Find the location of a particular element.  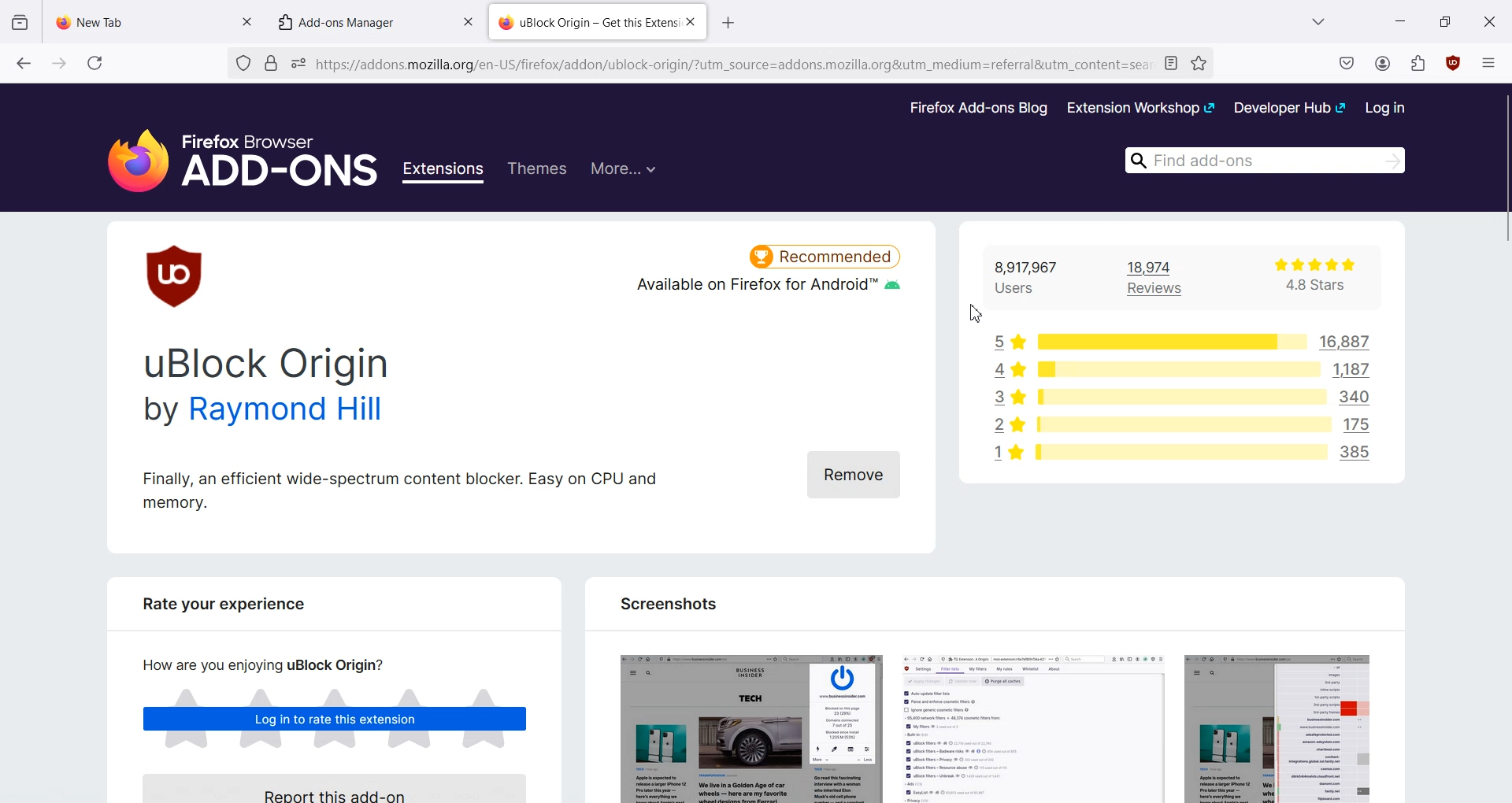

find add-ons is located at coordinates (1259, 158).